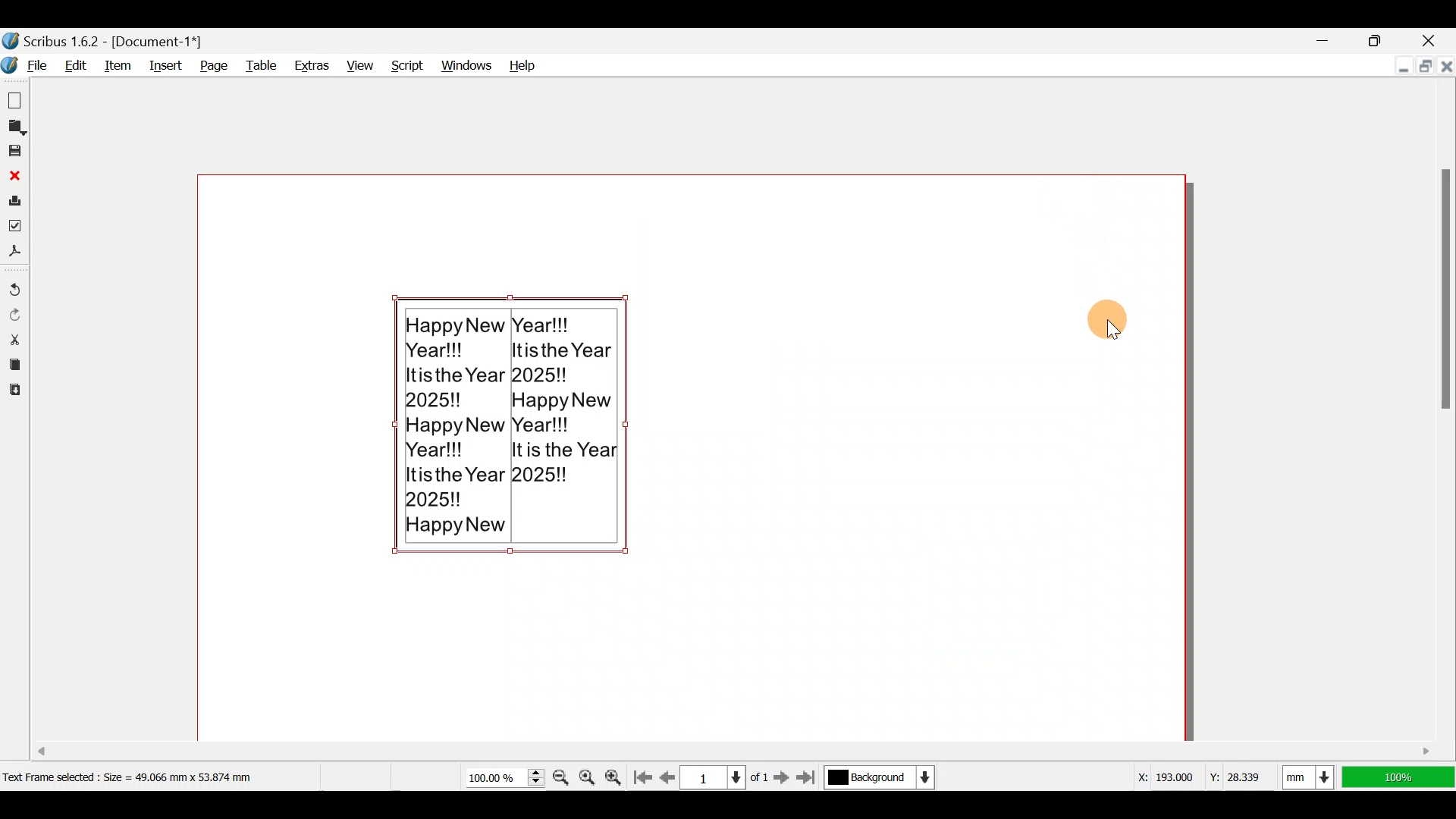 Image resolution: width=1456 pixels, height=819 pixels. Describe the element at coordinates (149, 777) in the screenshot. I see `Dimension of selected text frame` at that location.